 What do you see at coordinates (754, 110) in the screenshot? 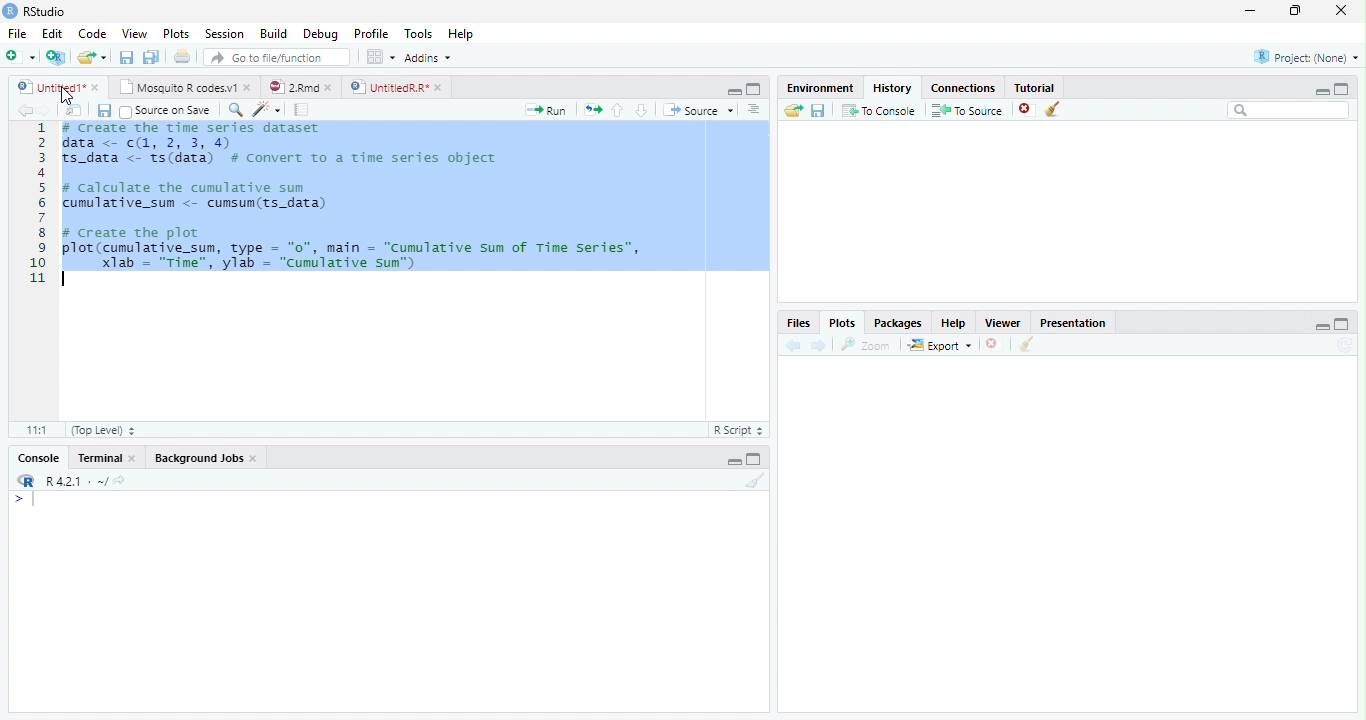
I see `Alignment` at bounding box center [754, 110].